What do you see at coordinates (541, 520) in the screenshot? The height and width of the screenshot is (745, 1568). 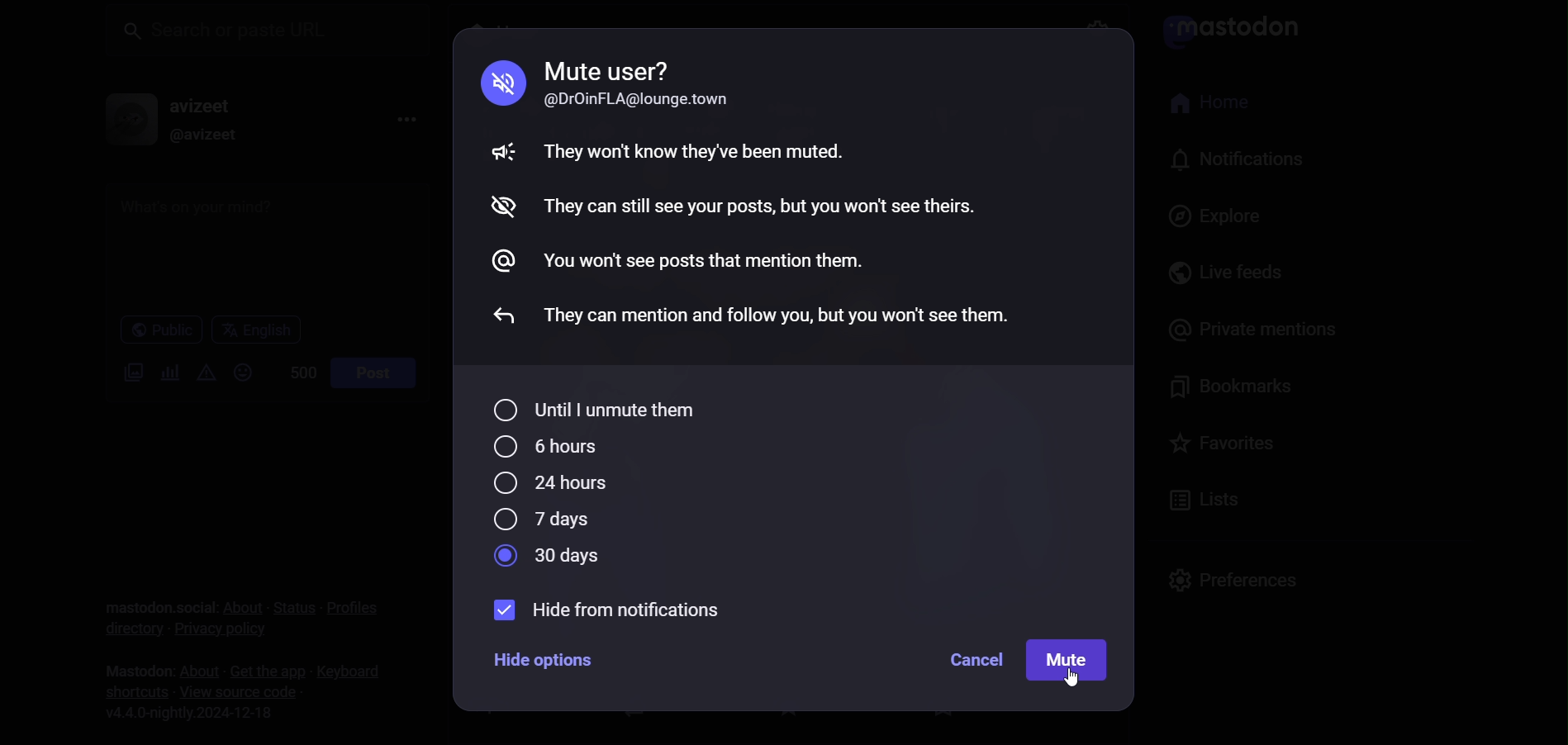 I see `7 days` at bounding box center [541, 520].